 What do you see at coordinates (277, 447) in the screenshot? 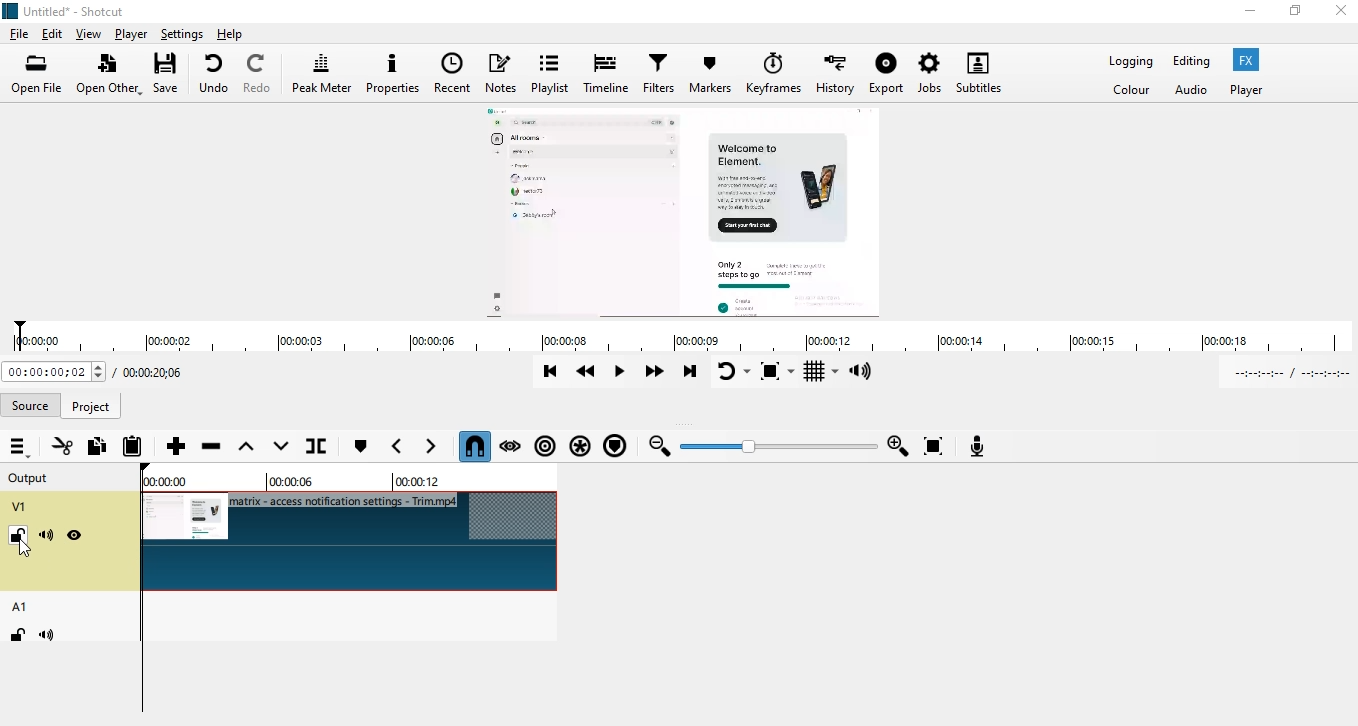
I see `overwrite` at bounding box center [277, 447].